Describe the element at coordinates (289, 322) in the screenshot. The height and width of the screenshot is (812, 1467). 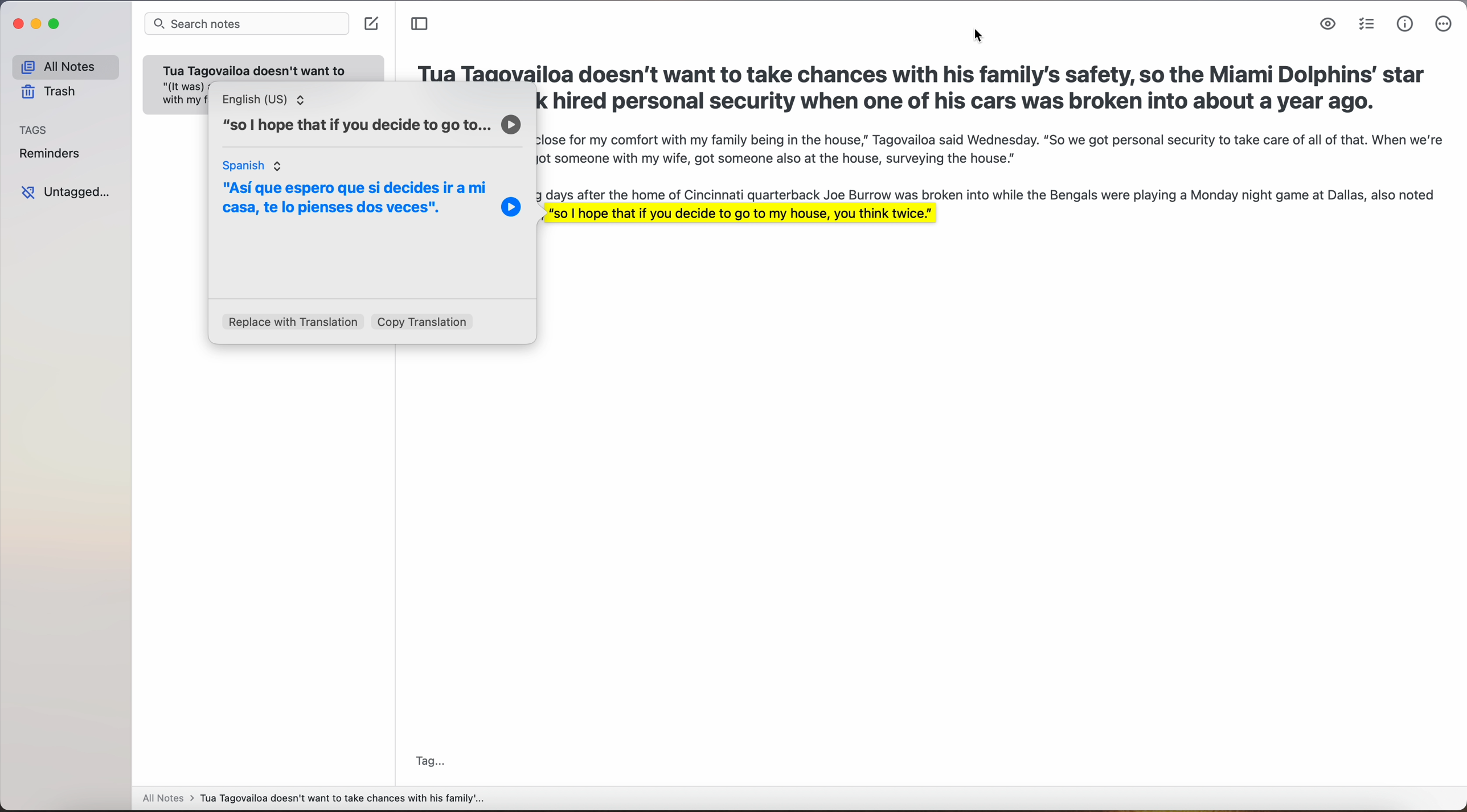
I see `replace with translation` at that location.